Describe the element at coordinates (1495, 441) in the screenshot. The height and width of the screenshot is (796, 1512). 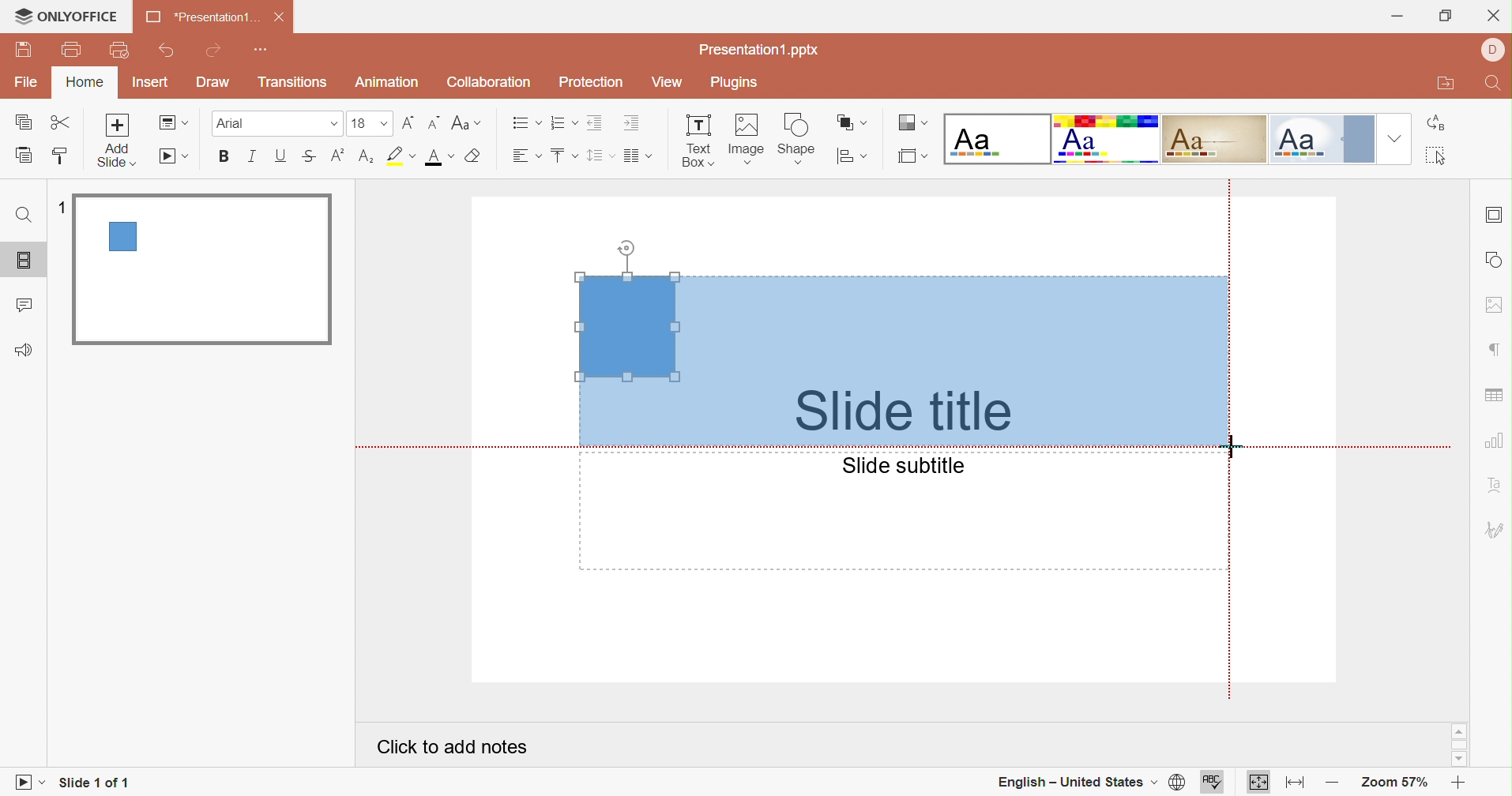
I see `Chart settings` at that location.